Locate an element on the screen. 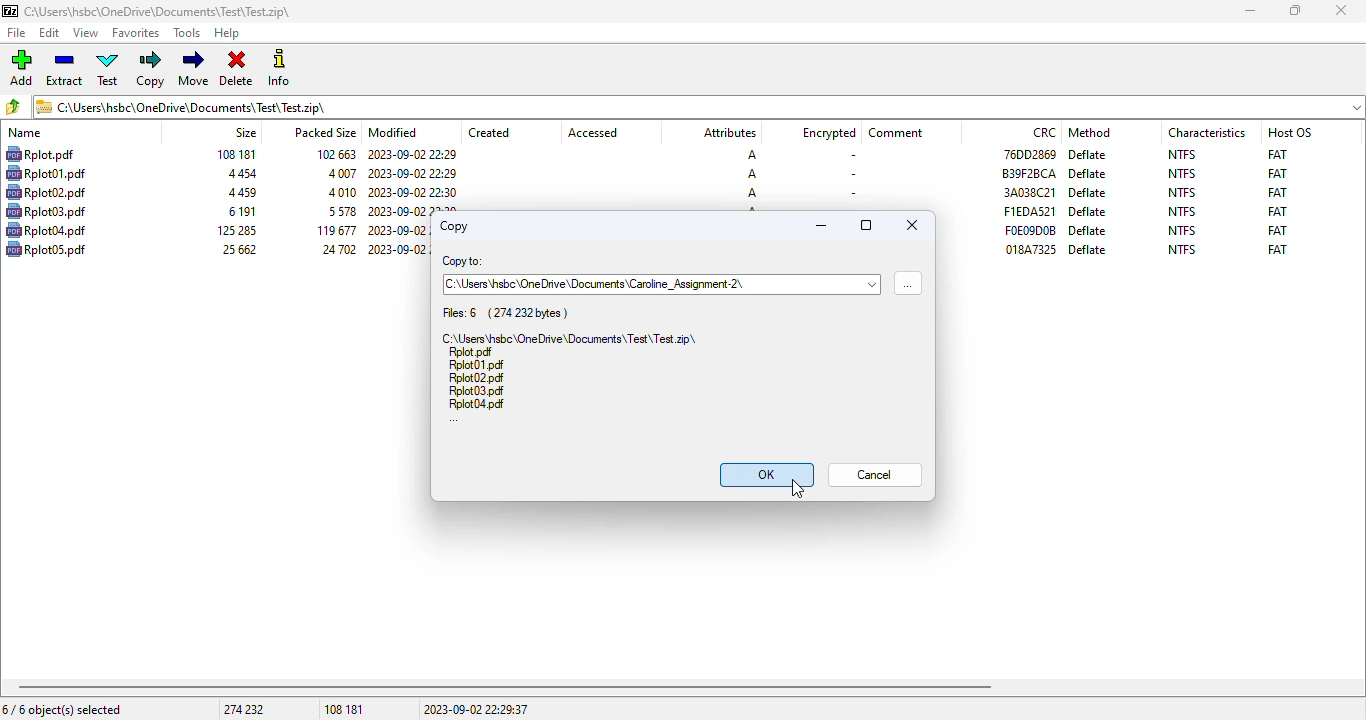   comment is located at coordinates (896, 133).